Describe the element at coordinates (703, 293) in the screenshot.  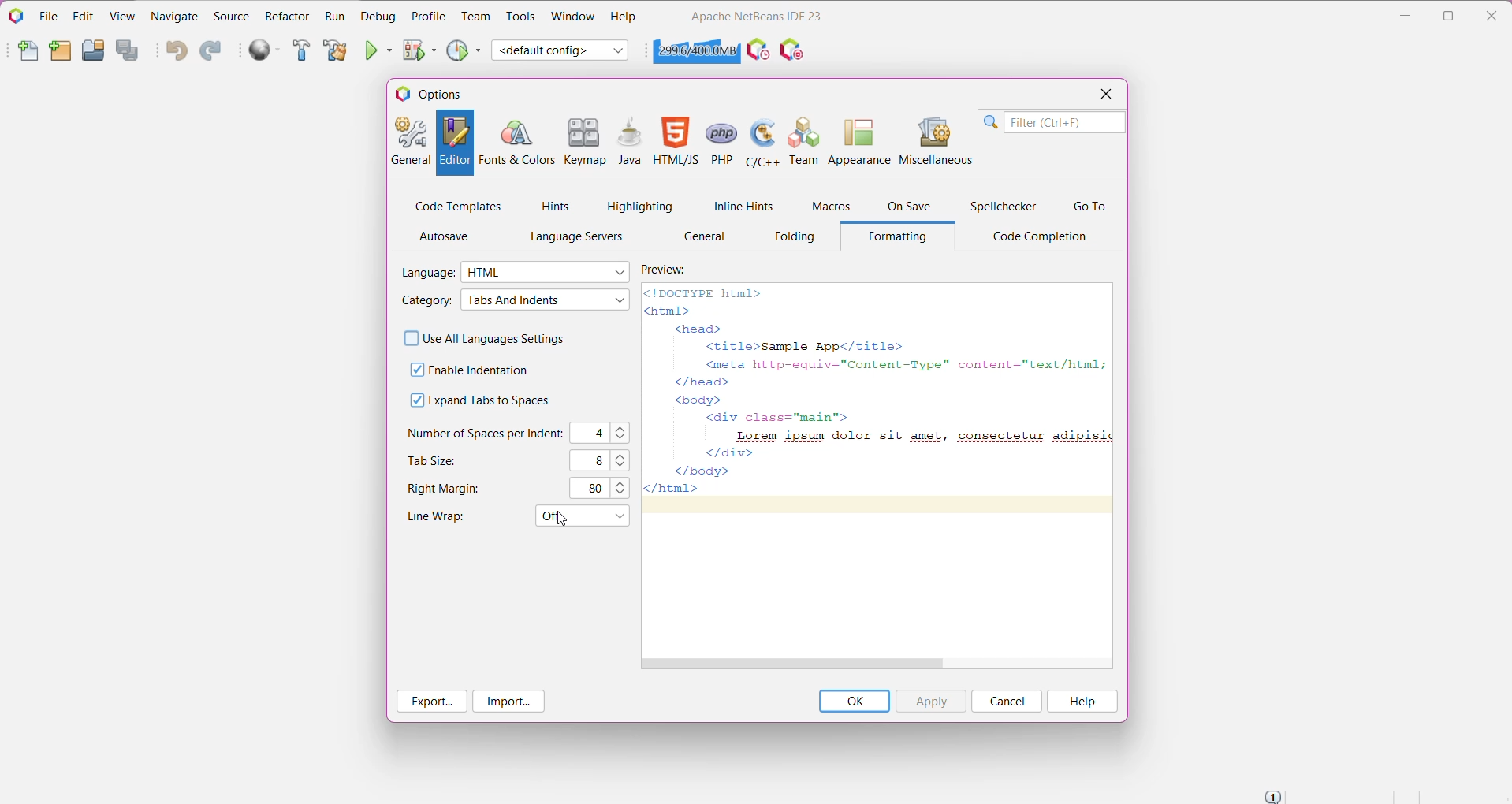
I see `<!DOCTYPE html>` at that location.